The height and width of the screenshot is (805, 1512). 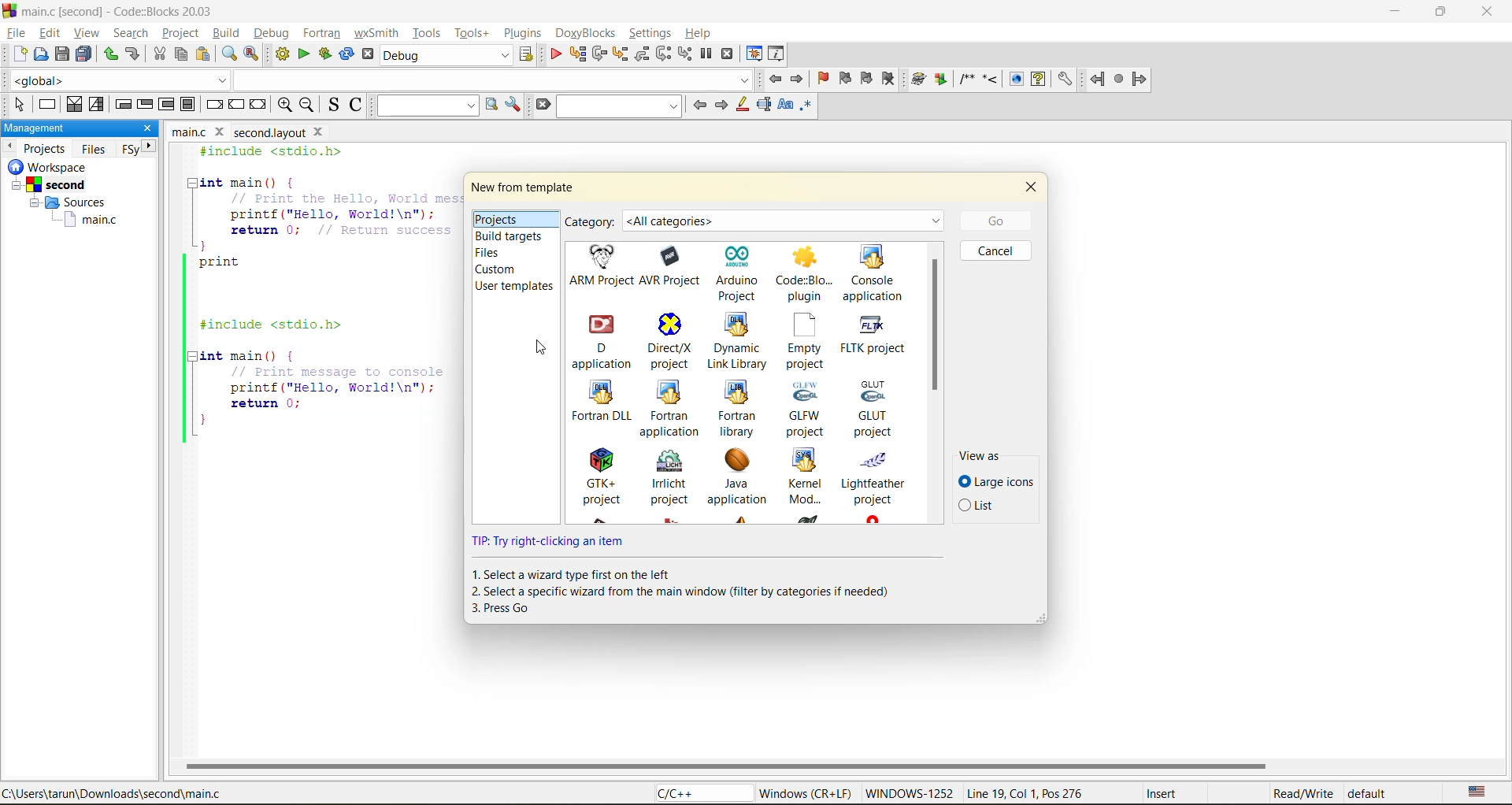 What do you see at coordinates (524, 33) in the screenshot?
I see `plugins` at bounding box center [524, 33].